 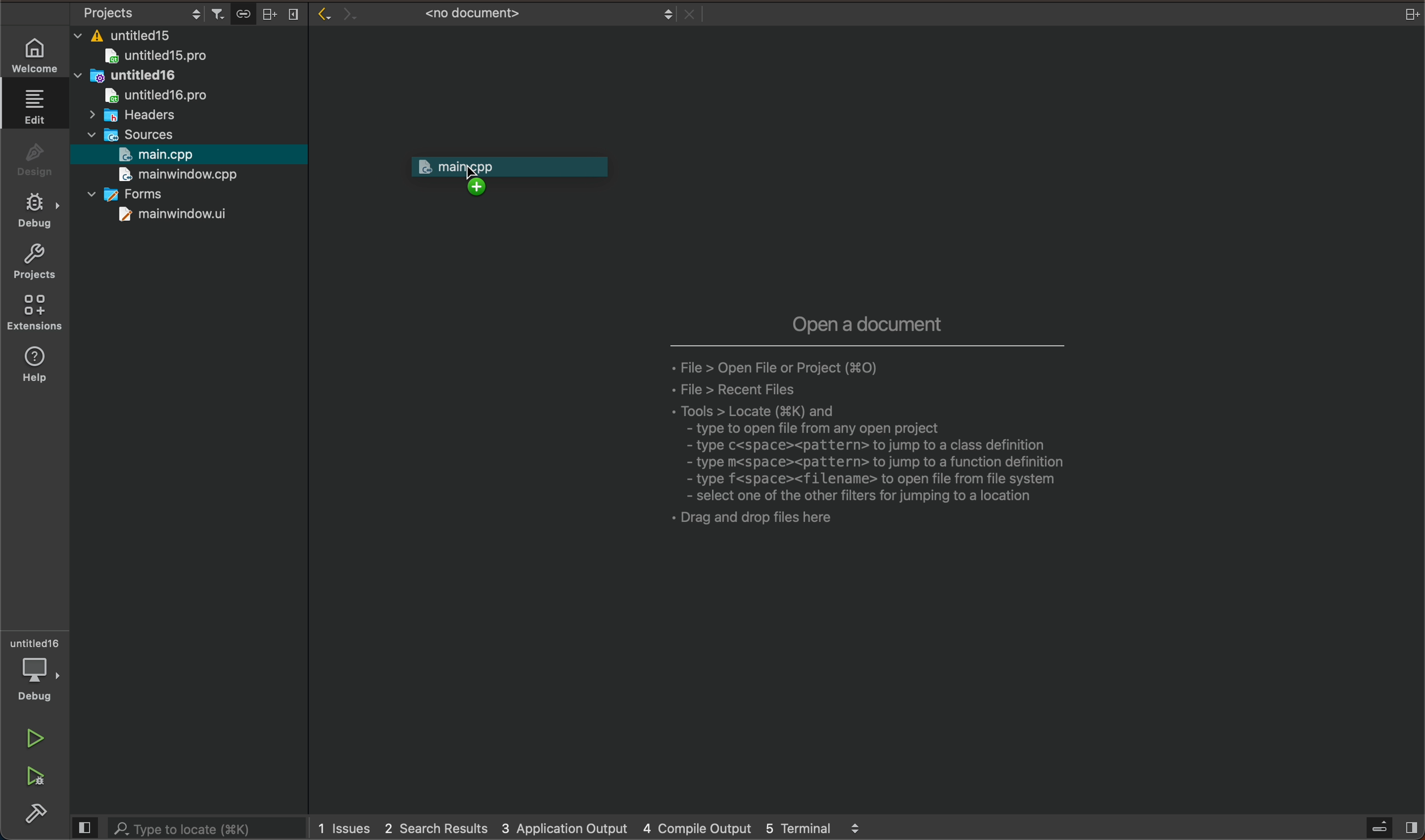 What do you see at coordinates (700, 828) in the screenshot?
I see `4 compile output` at bounding box center [700, 828].